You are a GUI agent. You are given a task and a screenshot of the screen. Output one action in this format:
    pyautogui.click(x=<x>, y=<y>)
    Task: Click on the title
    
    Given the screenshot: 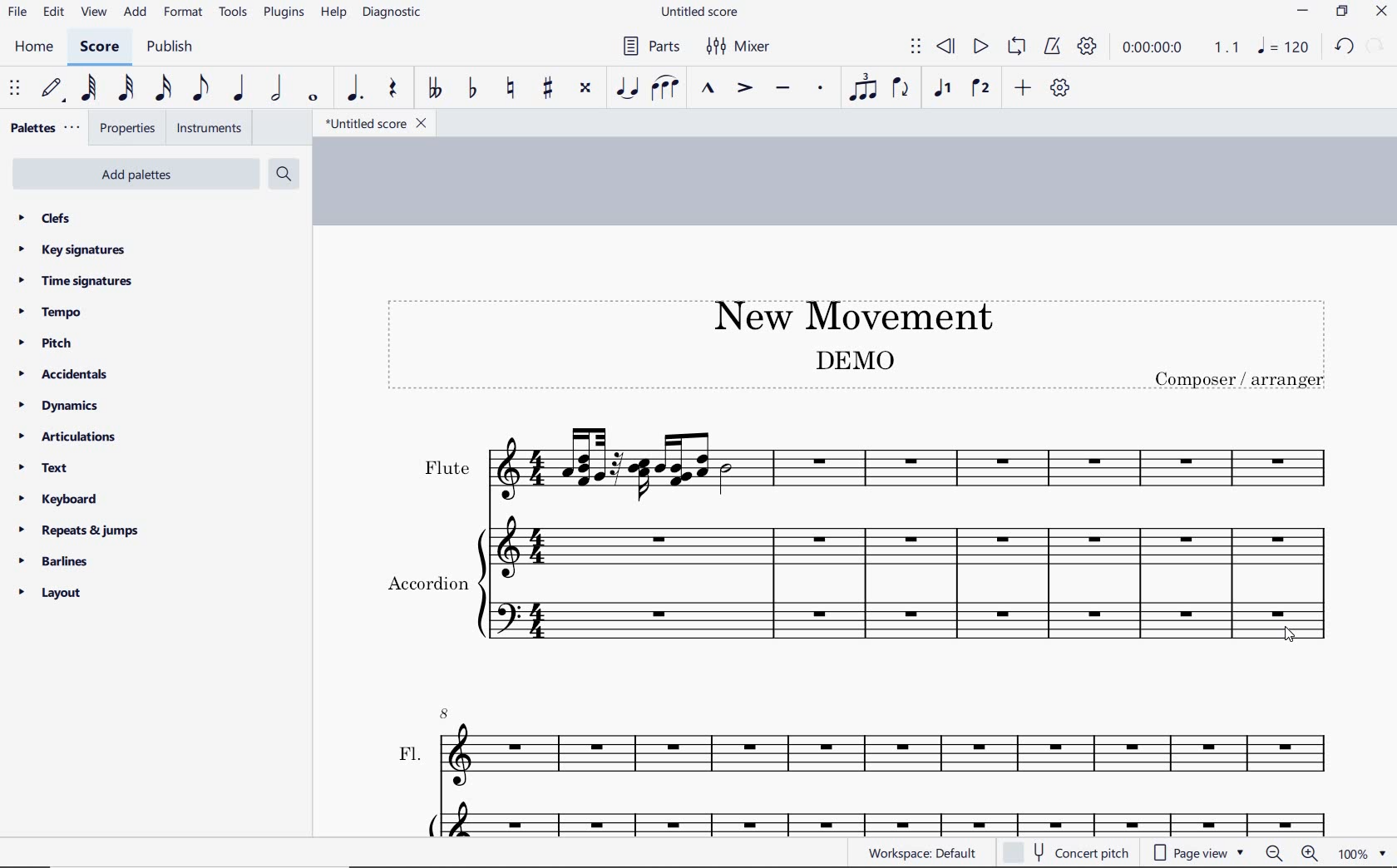 What is the action you would take?
    pyautogui.click(x=845, y=313)
    